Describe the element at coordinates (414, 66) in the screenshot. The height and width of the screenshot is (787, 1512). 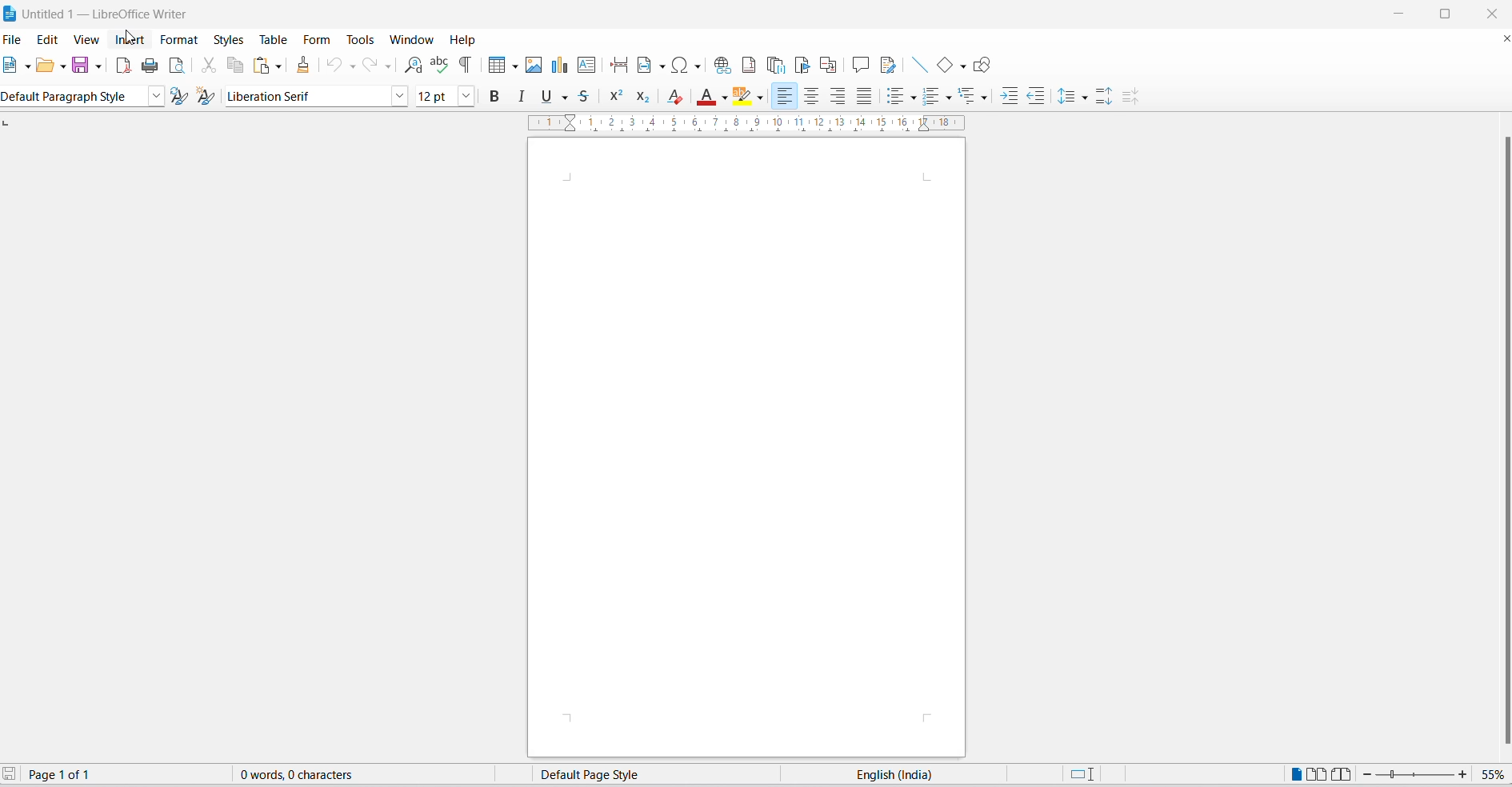
I see `find and replace` at that location.